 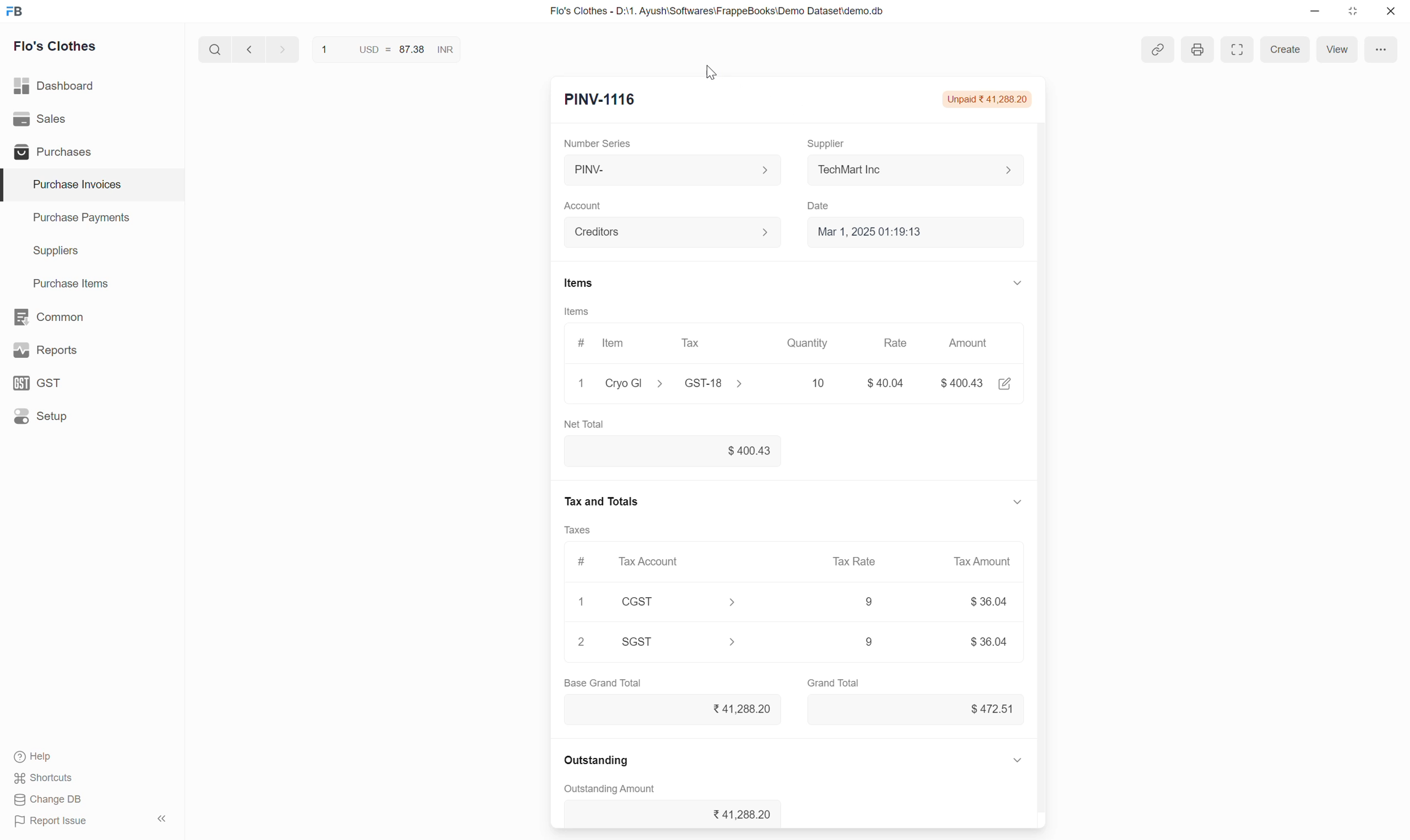 I want to click on previous, so click(x=280, y=48).